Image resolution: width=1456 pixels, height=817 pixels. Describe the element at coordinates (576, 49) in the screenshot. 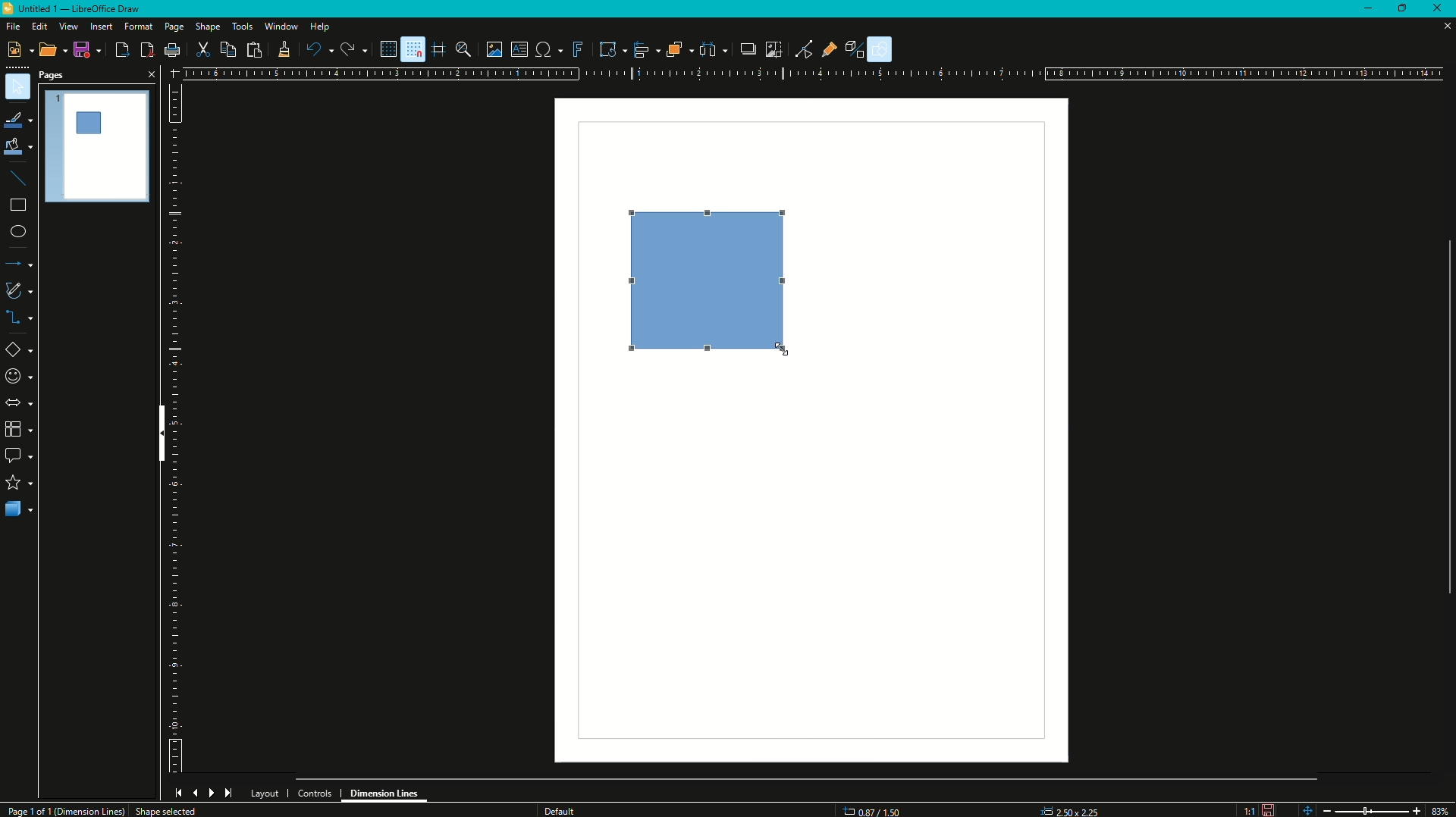

I see `Insert Fontwork Text` at that location.